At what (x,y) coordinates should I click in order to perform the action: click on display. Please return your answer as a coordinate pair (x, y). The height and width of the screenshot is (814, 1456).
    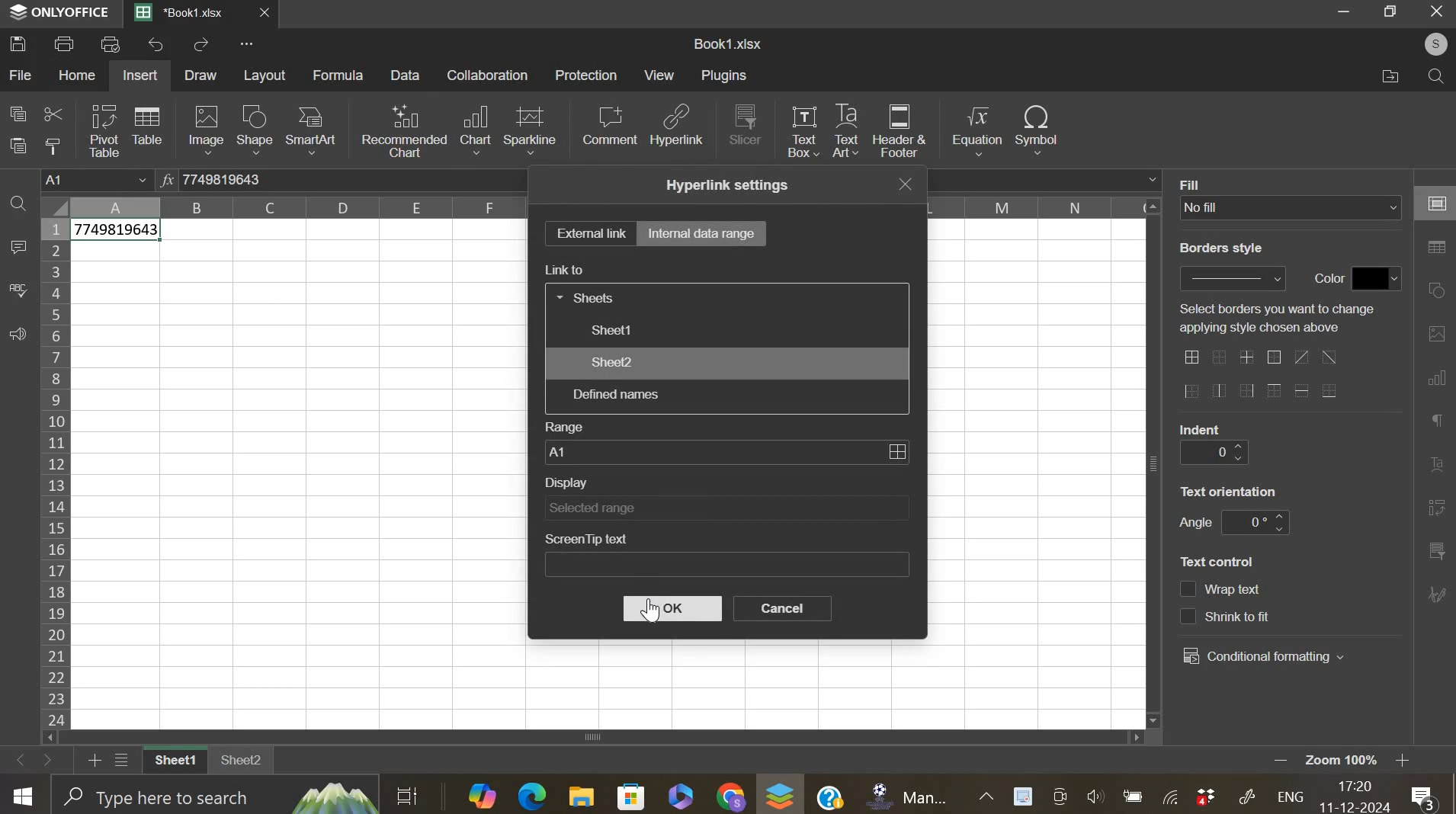
    Looking at the image, I should click on (726, 508).